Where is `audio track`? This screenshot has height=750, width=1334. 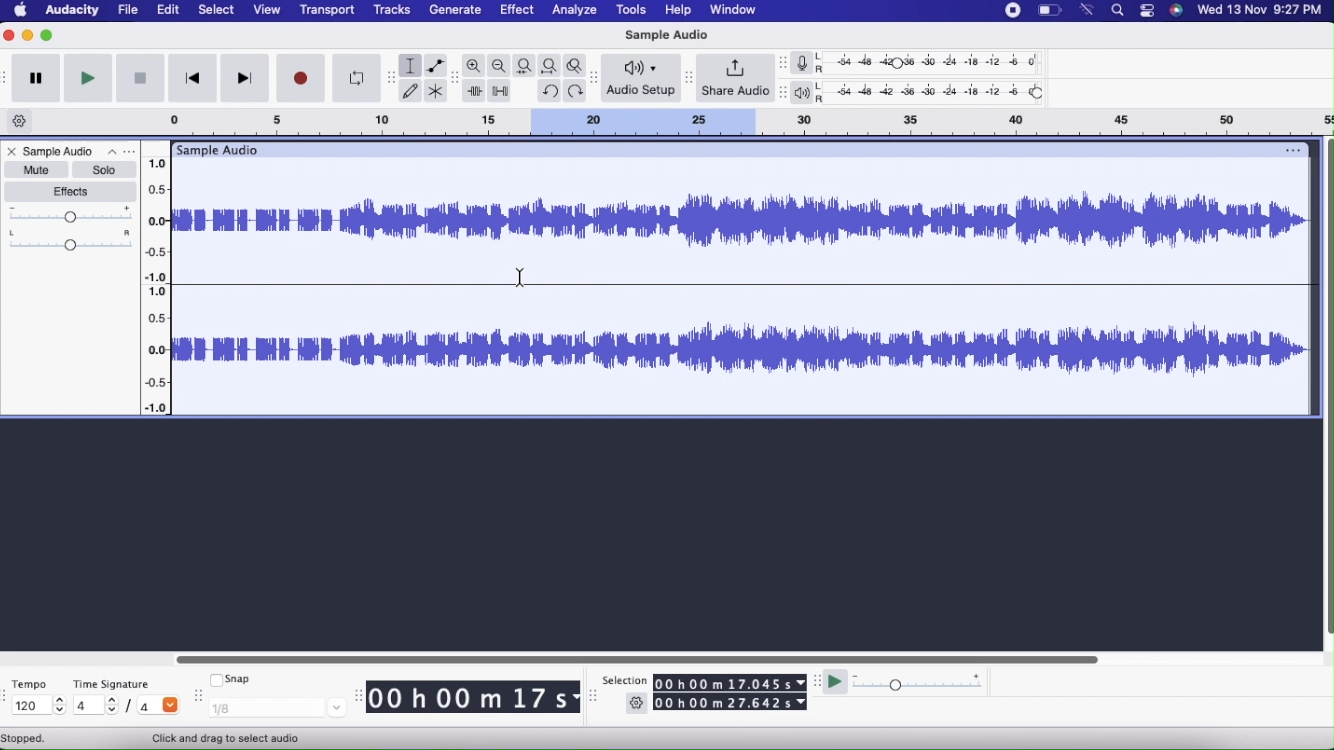
audio track is located at coordinates (743, 351).